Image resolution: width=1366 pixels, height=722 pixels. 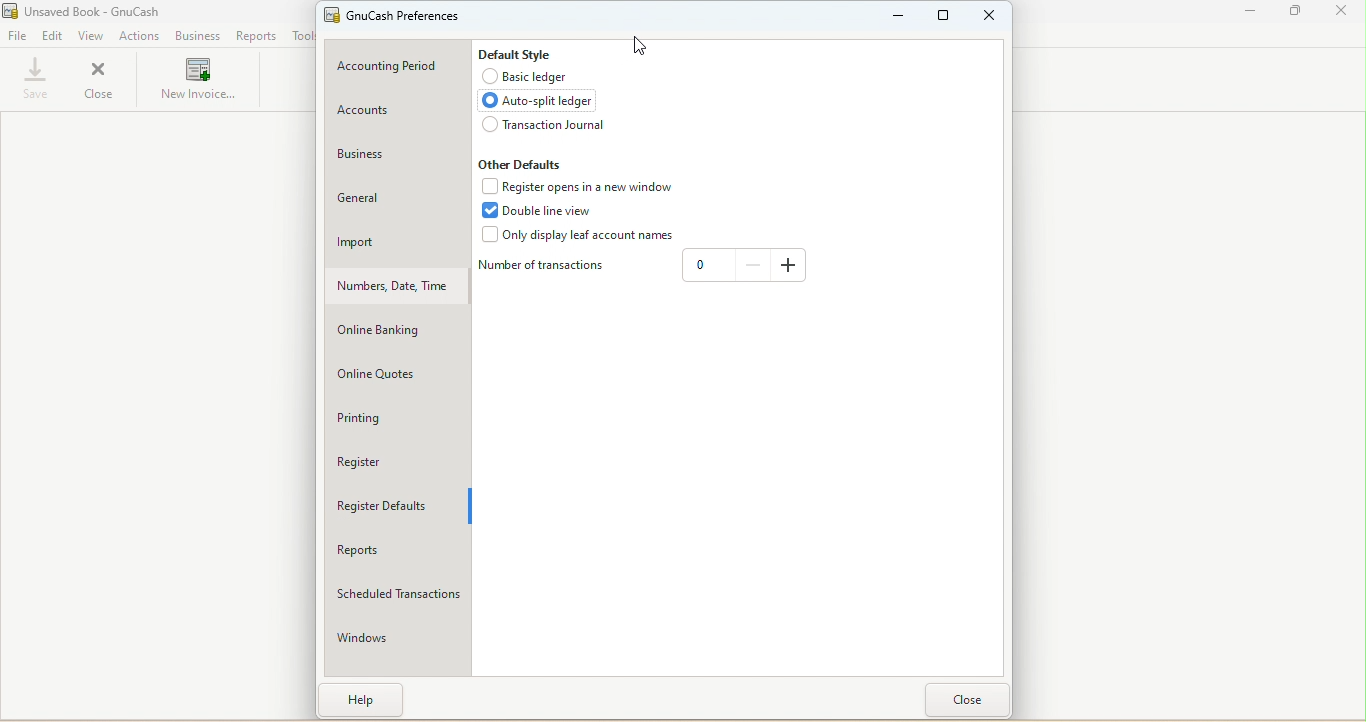 What do you see at coordinates (89, 36) in the screenshot?
I see `View` at bounding box center [89, 36].